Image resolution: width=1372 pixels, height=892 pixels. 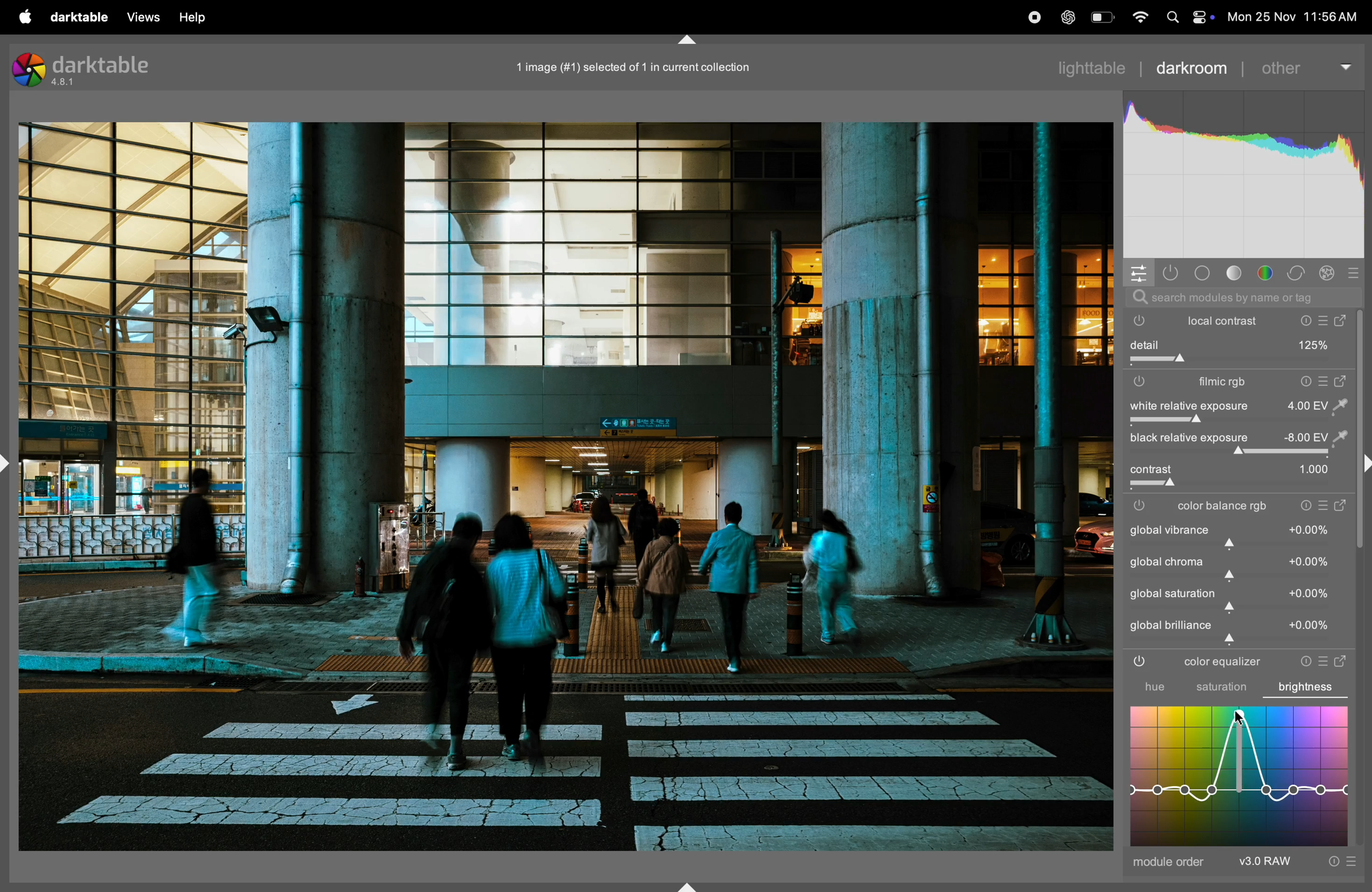 I want to click on toggle, so click(x=1237, y=453).